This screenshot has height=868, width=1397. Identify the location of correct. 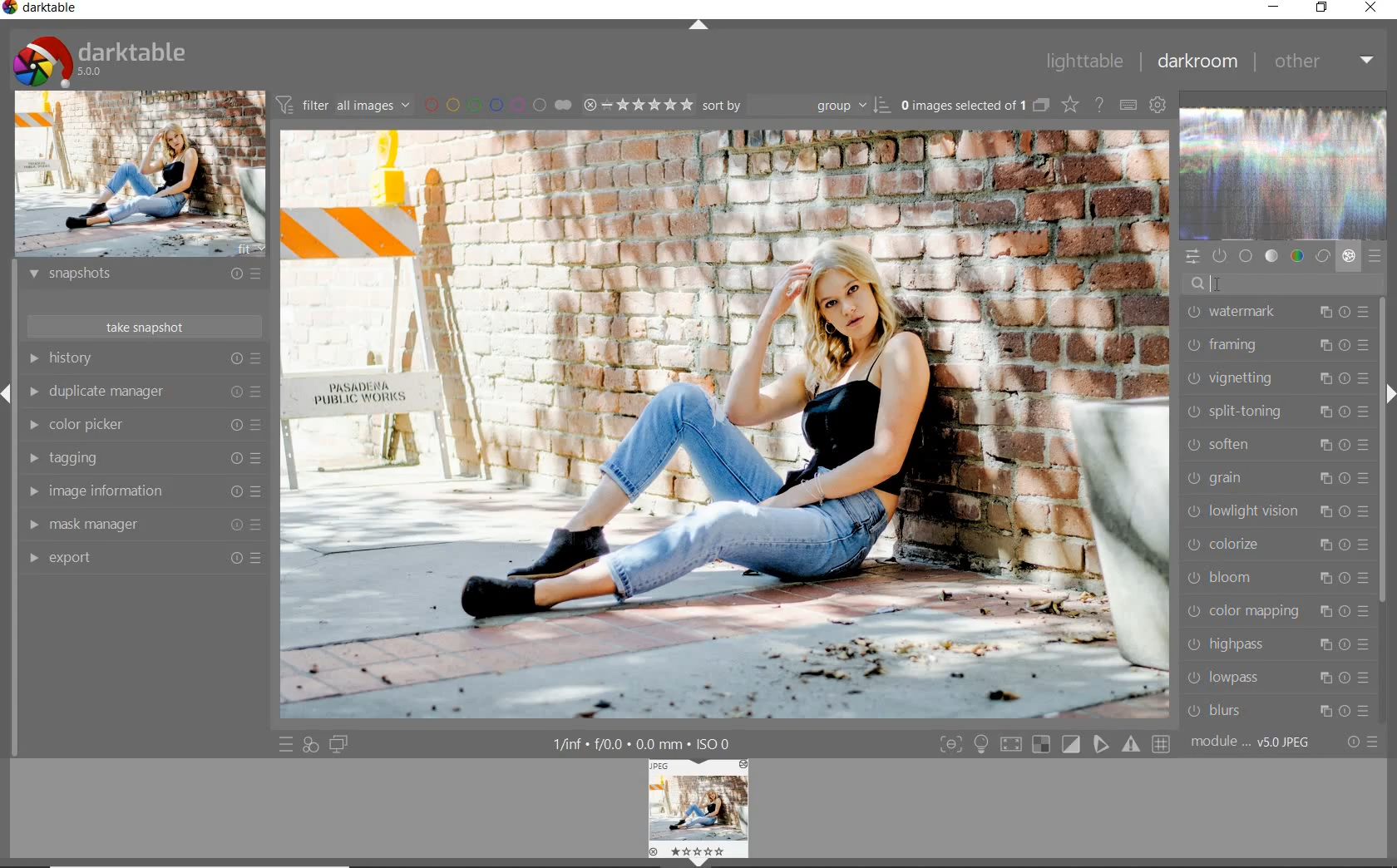
(1322, 257).